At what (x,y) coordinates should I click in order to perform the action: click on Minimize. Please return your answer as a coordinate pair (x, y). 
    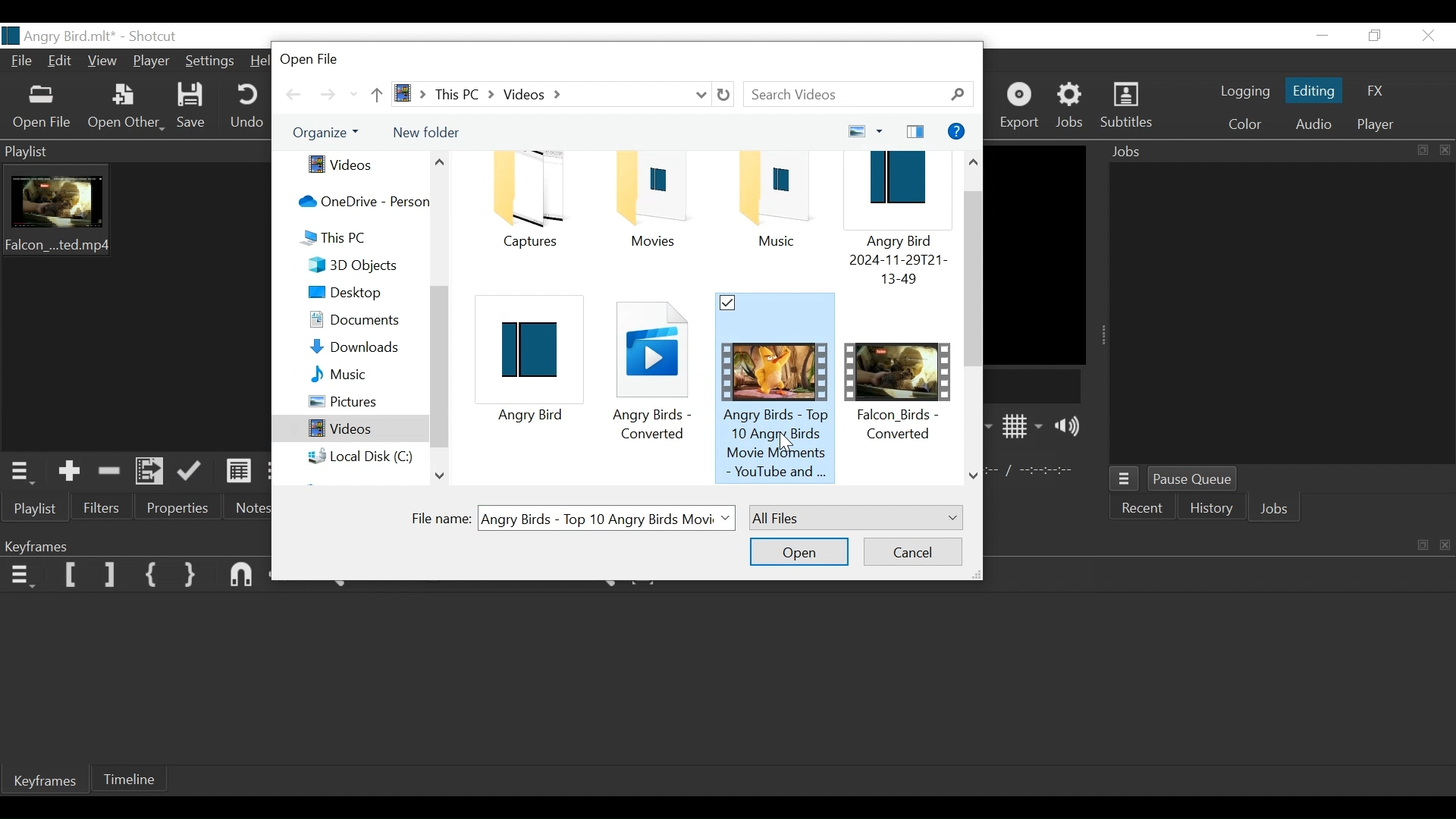
    Looking at the image, I should click on (1326, 36).